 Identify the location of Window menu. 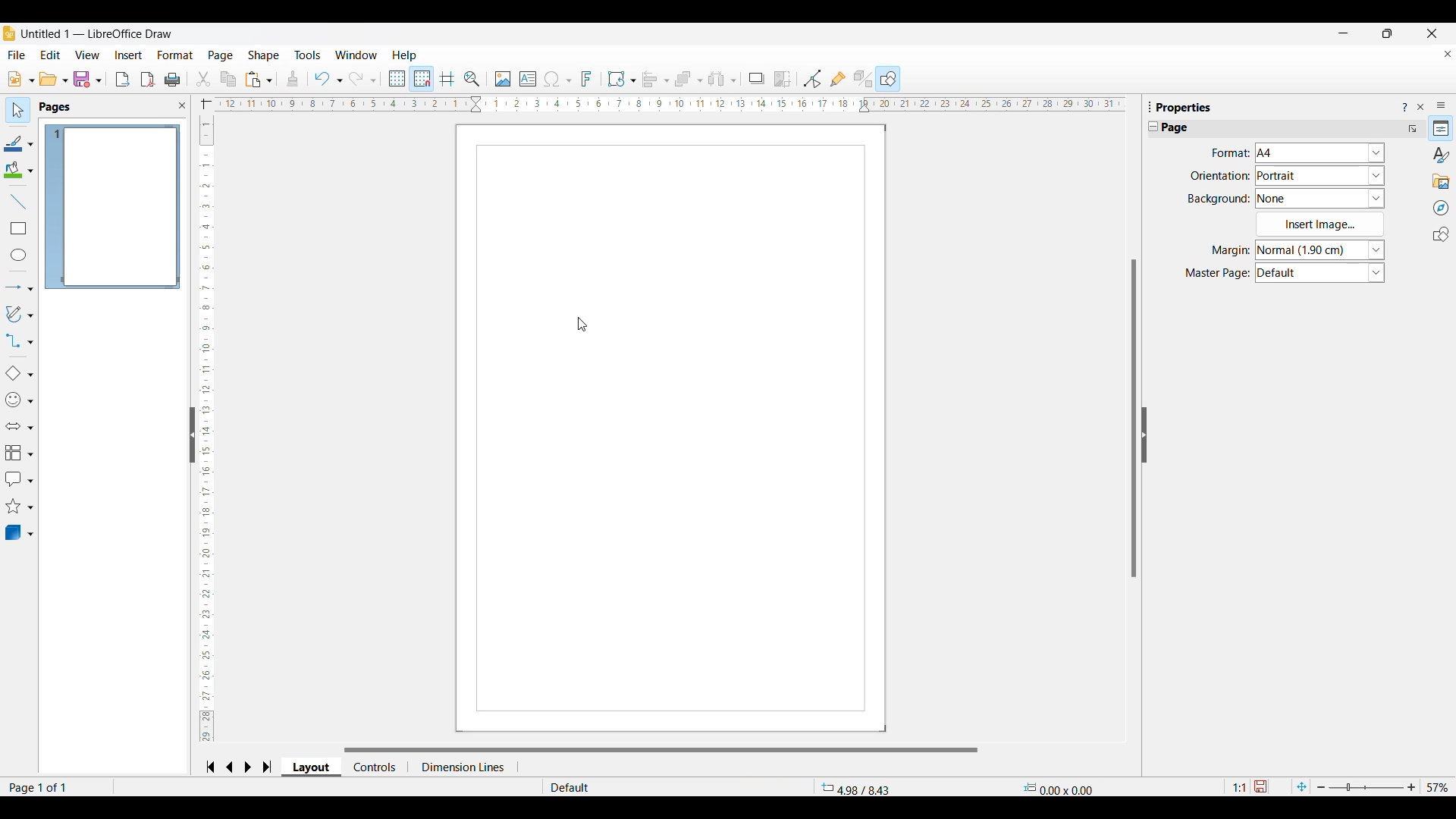
(356, 55).